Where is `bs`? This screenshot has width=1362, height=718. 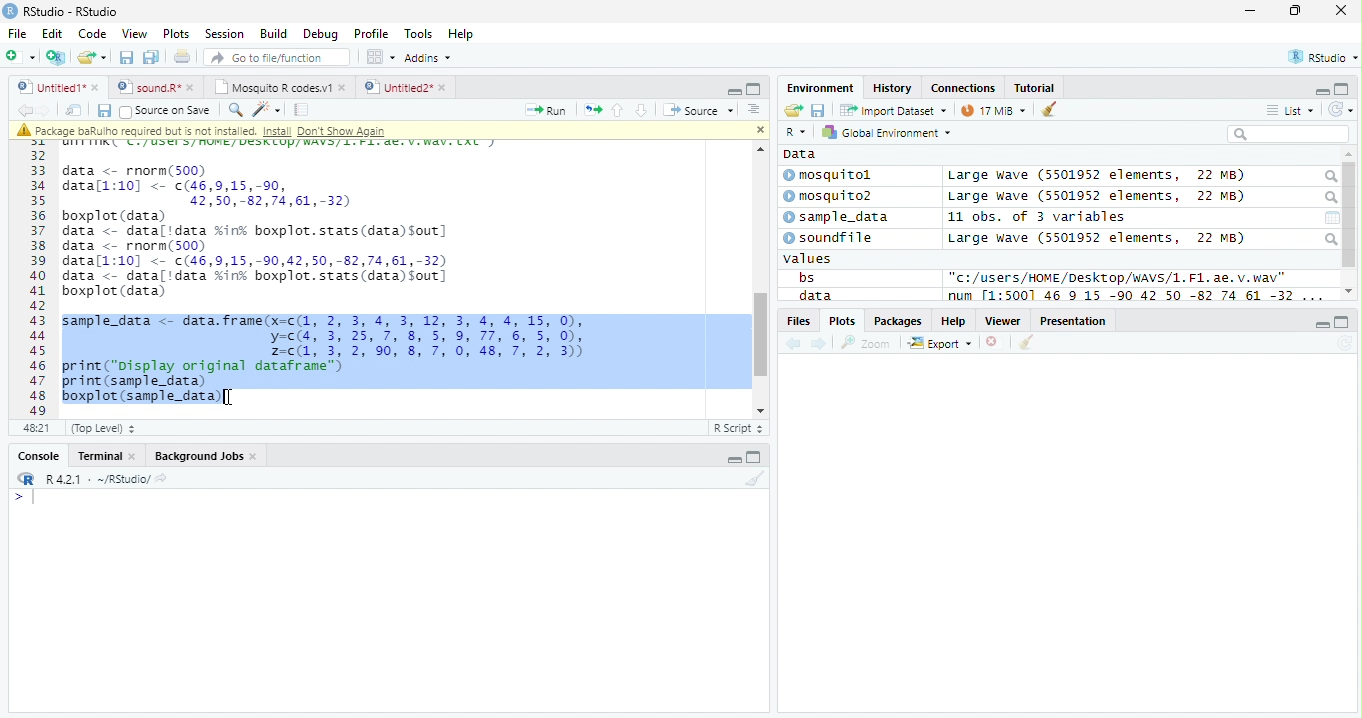
bs is located at coordinates (806, 277).